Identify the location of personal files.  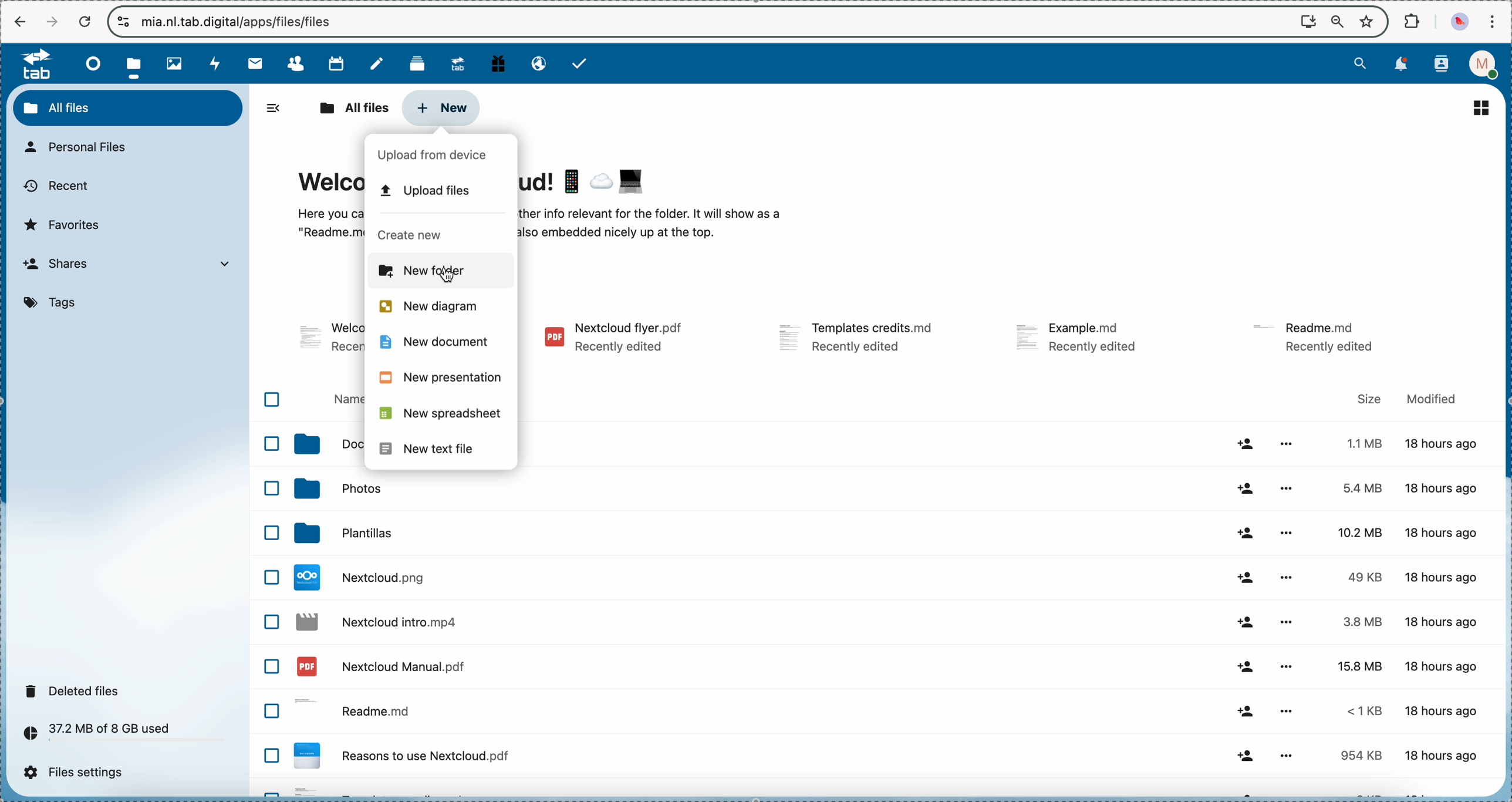
(82, 148).